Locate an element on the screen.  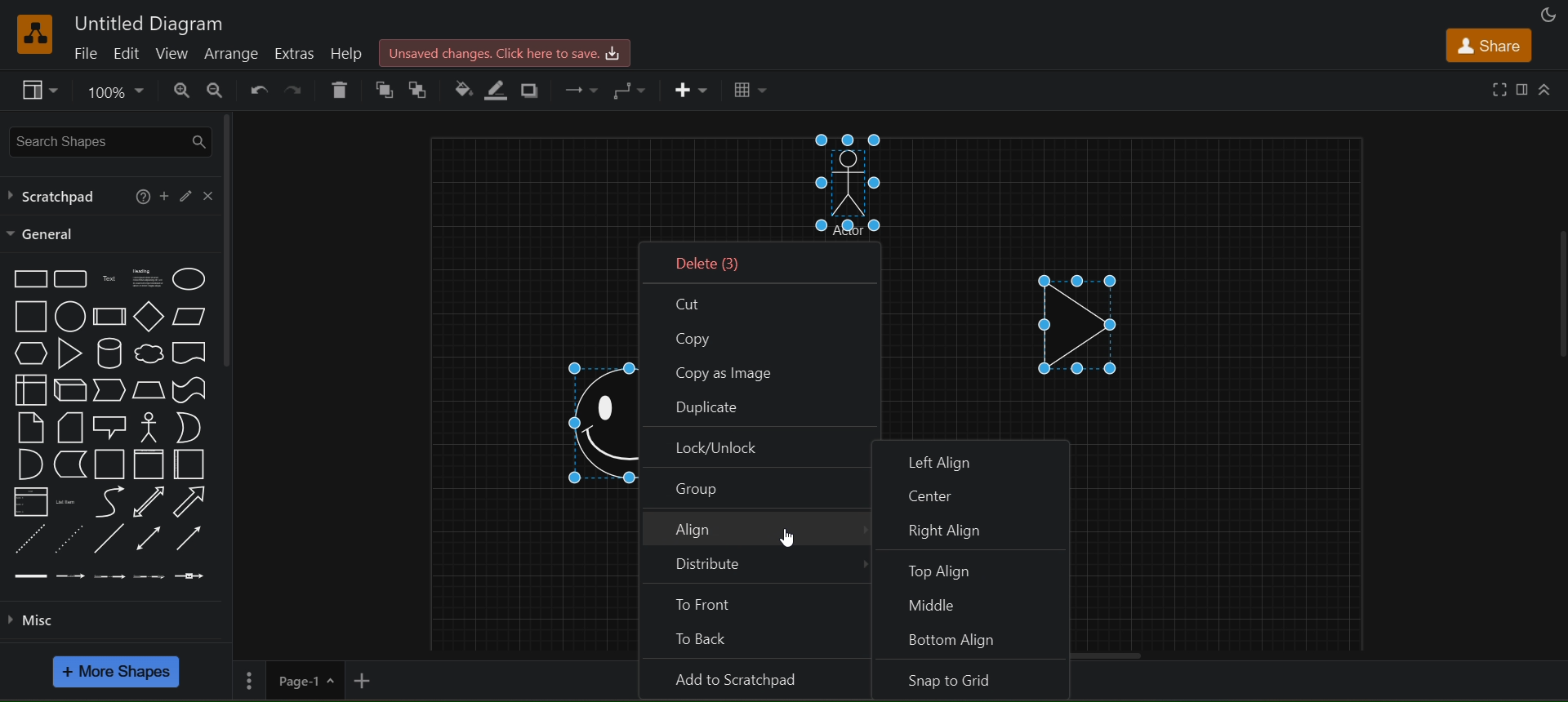
zoom out is located at coordinates (216, 92).